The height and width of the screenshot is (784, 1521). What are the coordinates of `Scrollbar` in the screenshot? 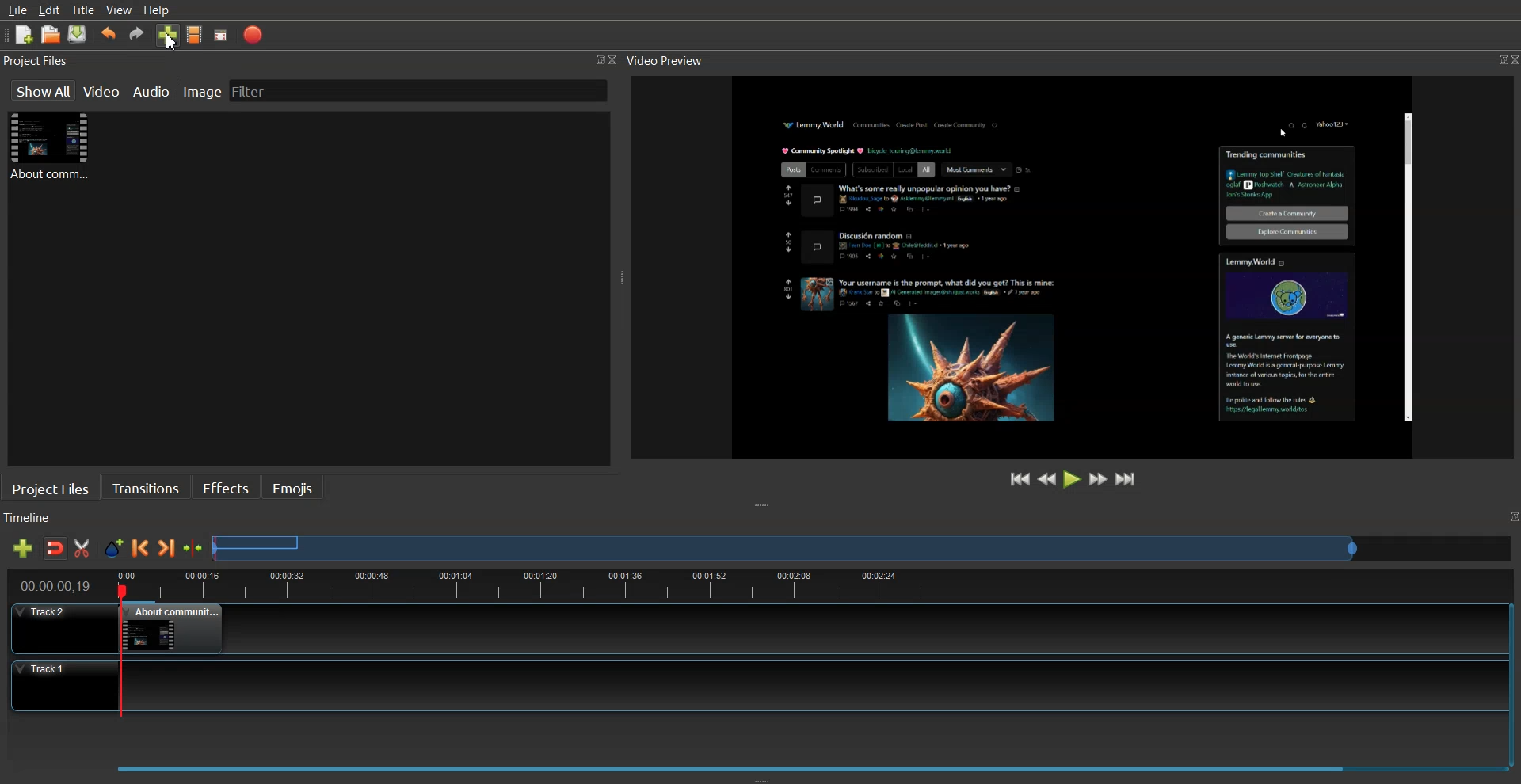 It's located at (1406, 268).